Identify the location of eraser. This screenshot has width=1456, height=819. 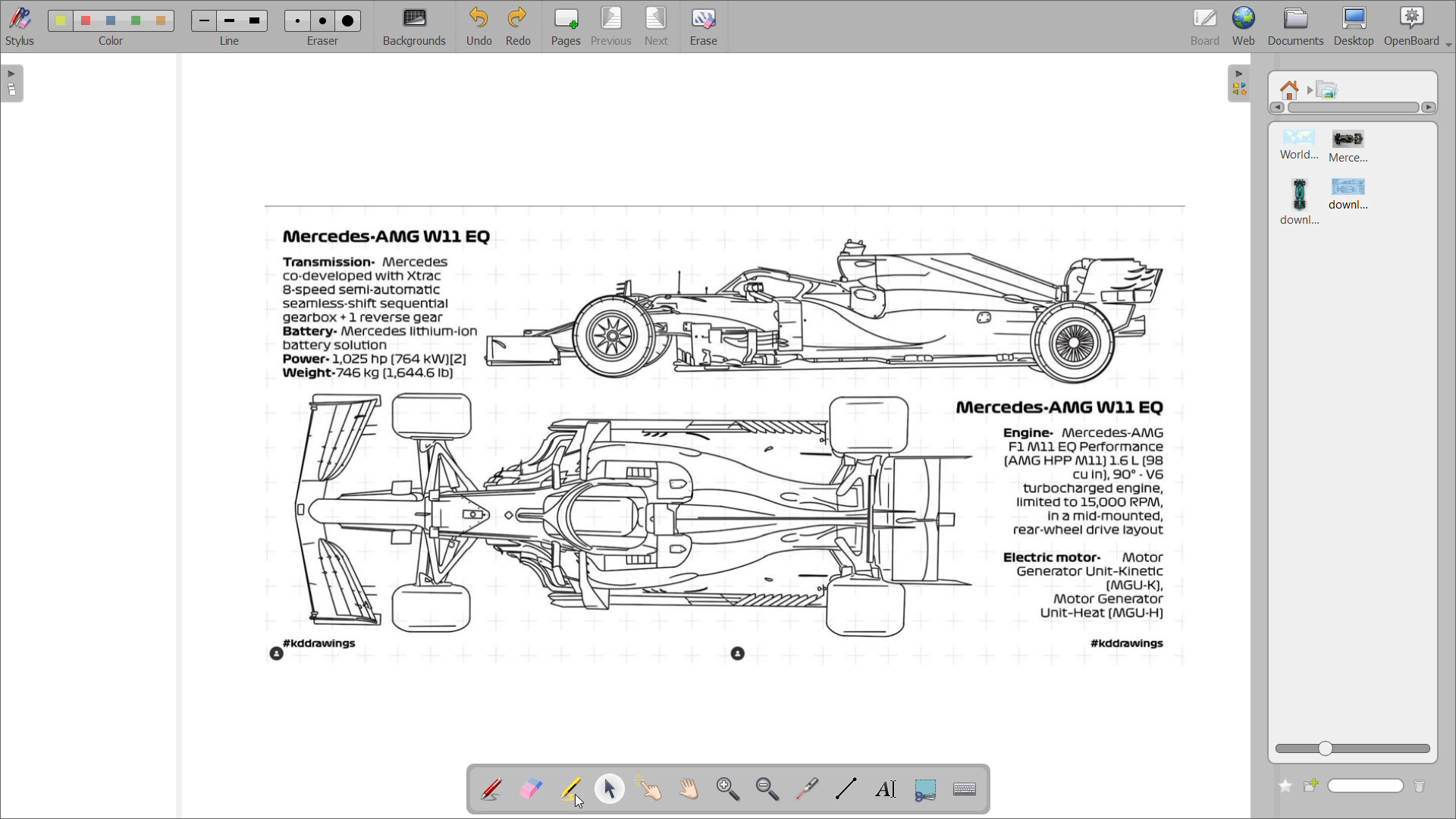
(324, 42).